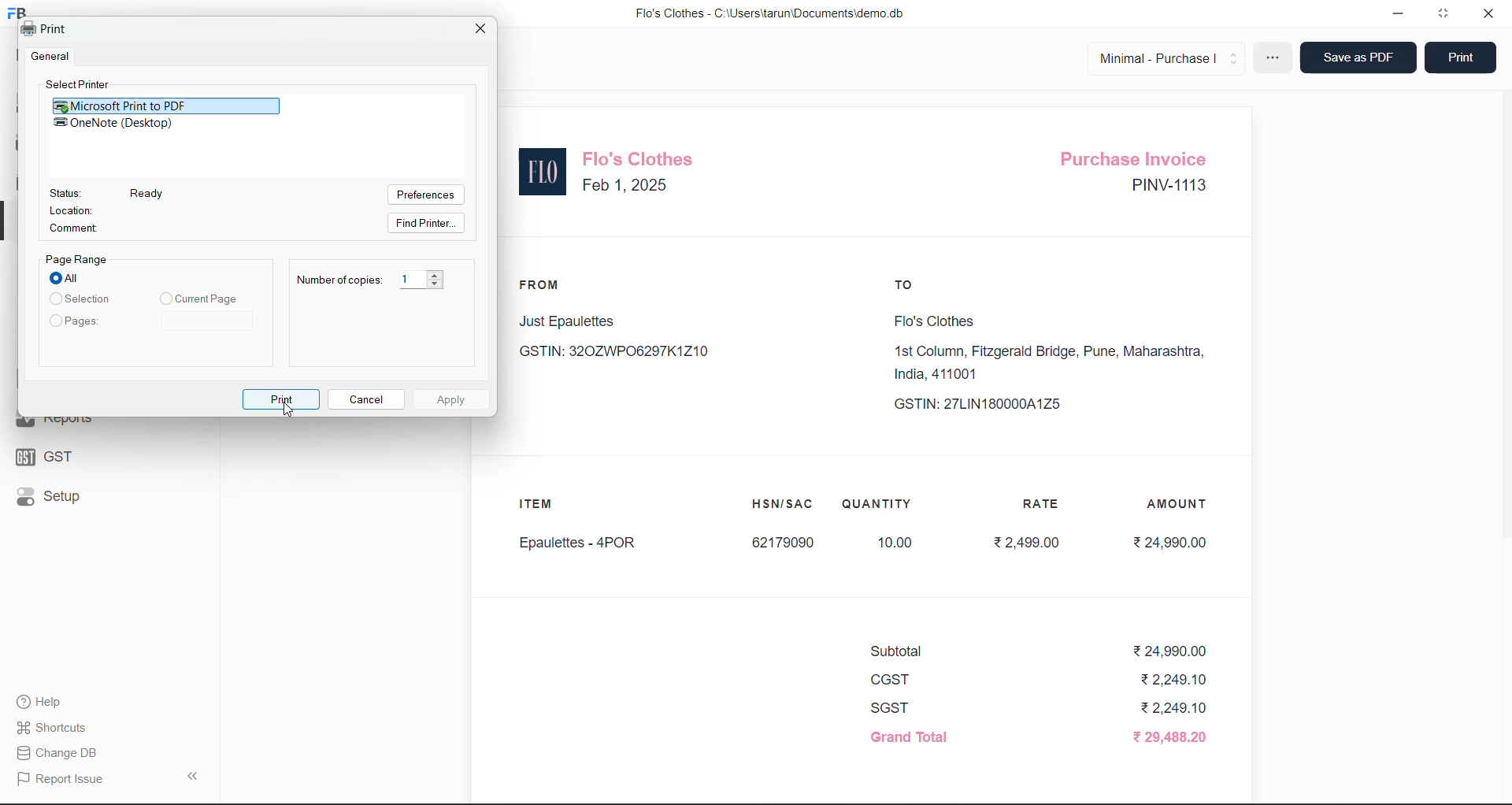 The image size is (1512, 805). What do you see at coordinates (61, 752) in the screenshot?
I see `| Change DB` at bounding box center [61, 752].